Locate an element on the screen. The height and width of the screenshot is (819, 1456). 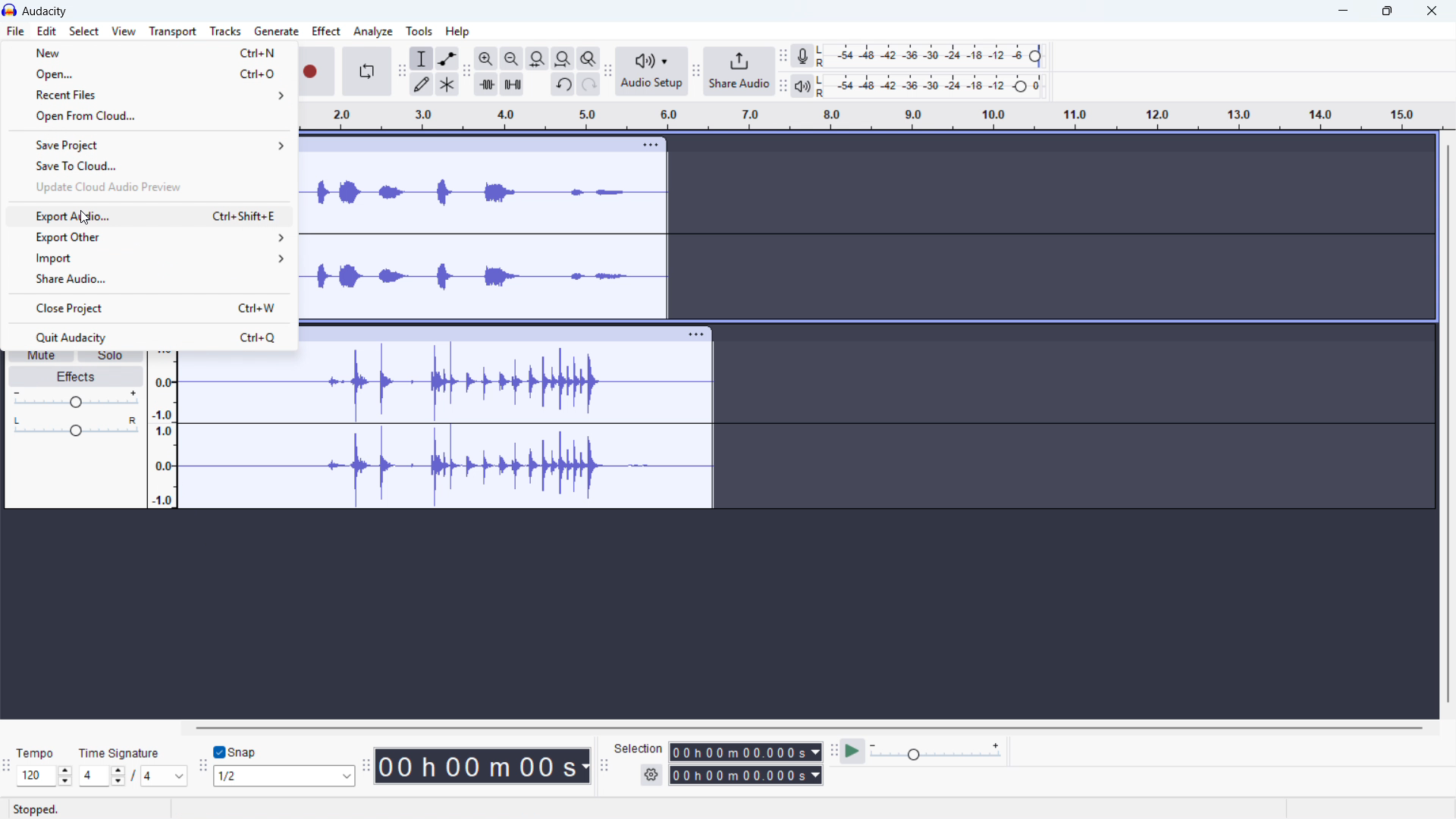
Fit selection to width is located at coordinates (536, 58).